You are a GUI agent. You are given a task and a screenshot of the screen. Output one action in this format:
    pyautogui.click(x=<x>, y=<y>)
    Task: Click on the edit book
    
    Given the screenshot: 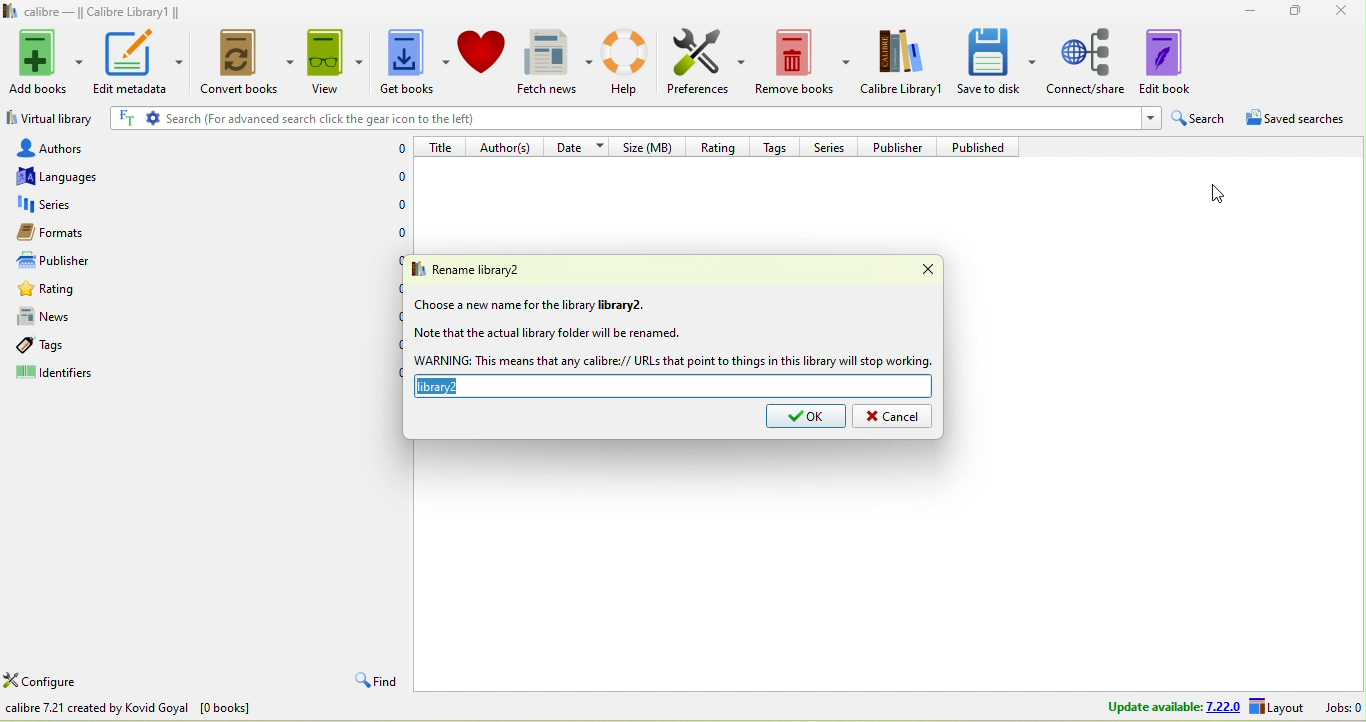 What is the action you would take?
    pyautogui.click(x=1179, y=60)
    